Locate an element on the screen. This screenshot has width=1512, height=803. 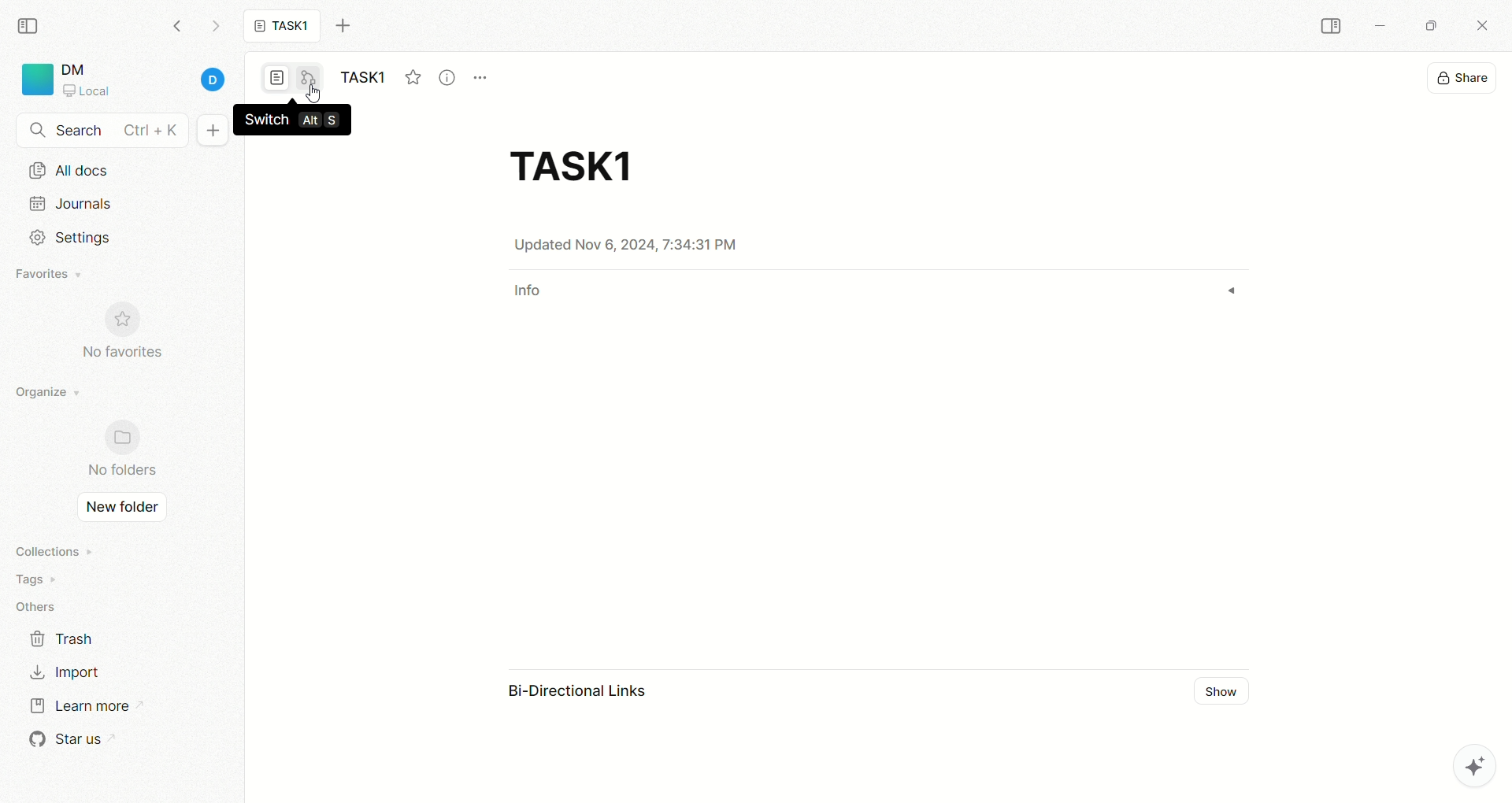
switch is located at coordinates (294, 120).